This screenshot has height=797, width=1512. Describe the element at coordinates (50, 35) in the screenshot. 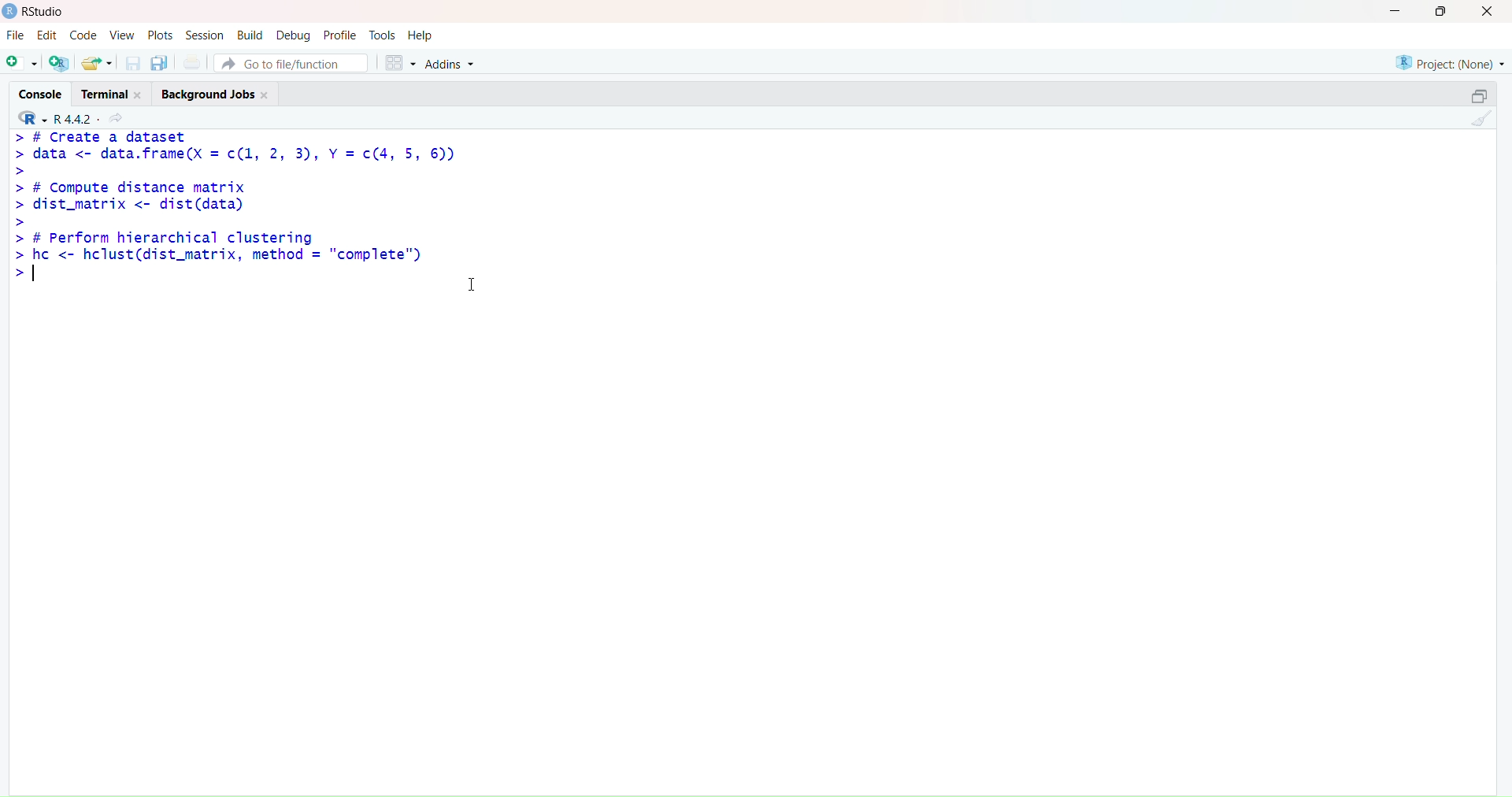

I see `Edit` at that location.